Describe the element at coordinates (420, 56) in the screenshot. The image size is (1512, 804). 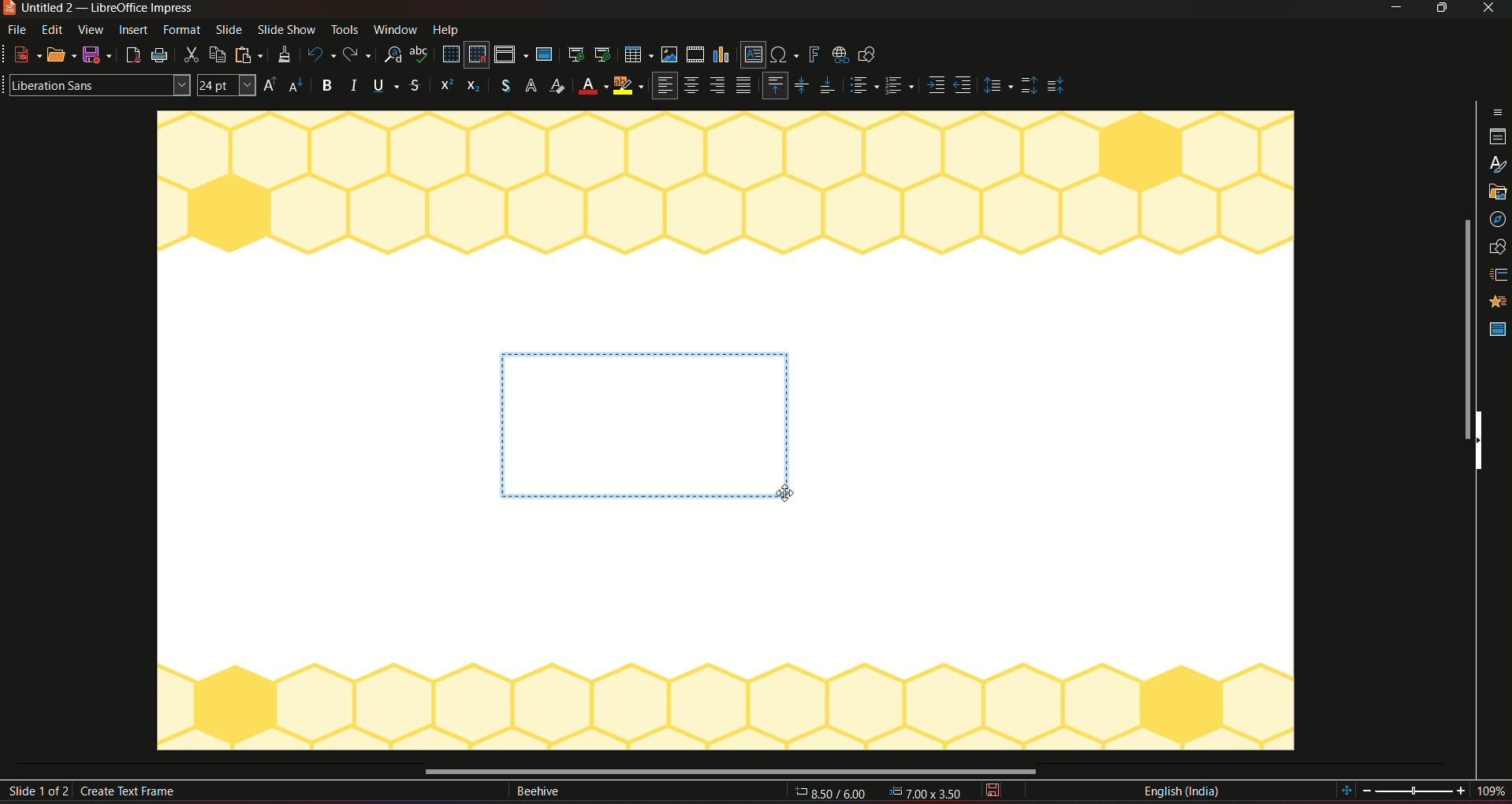
I see `spelling` at that location.